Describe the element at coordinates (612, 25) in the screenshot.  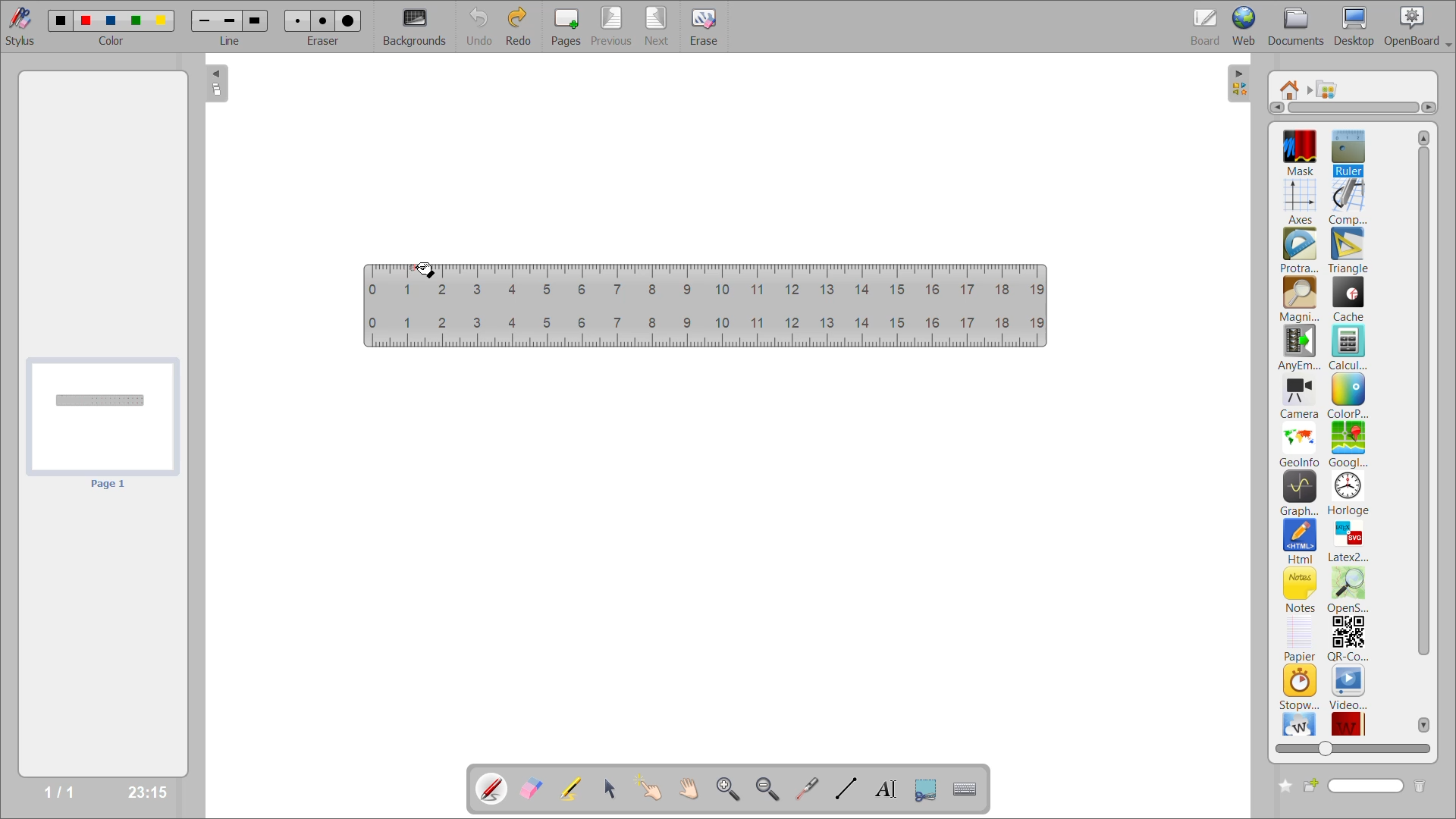
I see `previous` at that location.